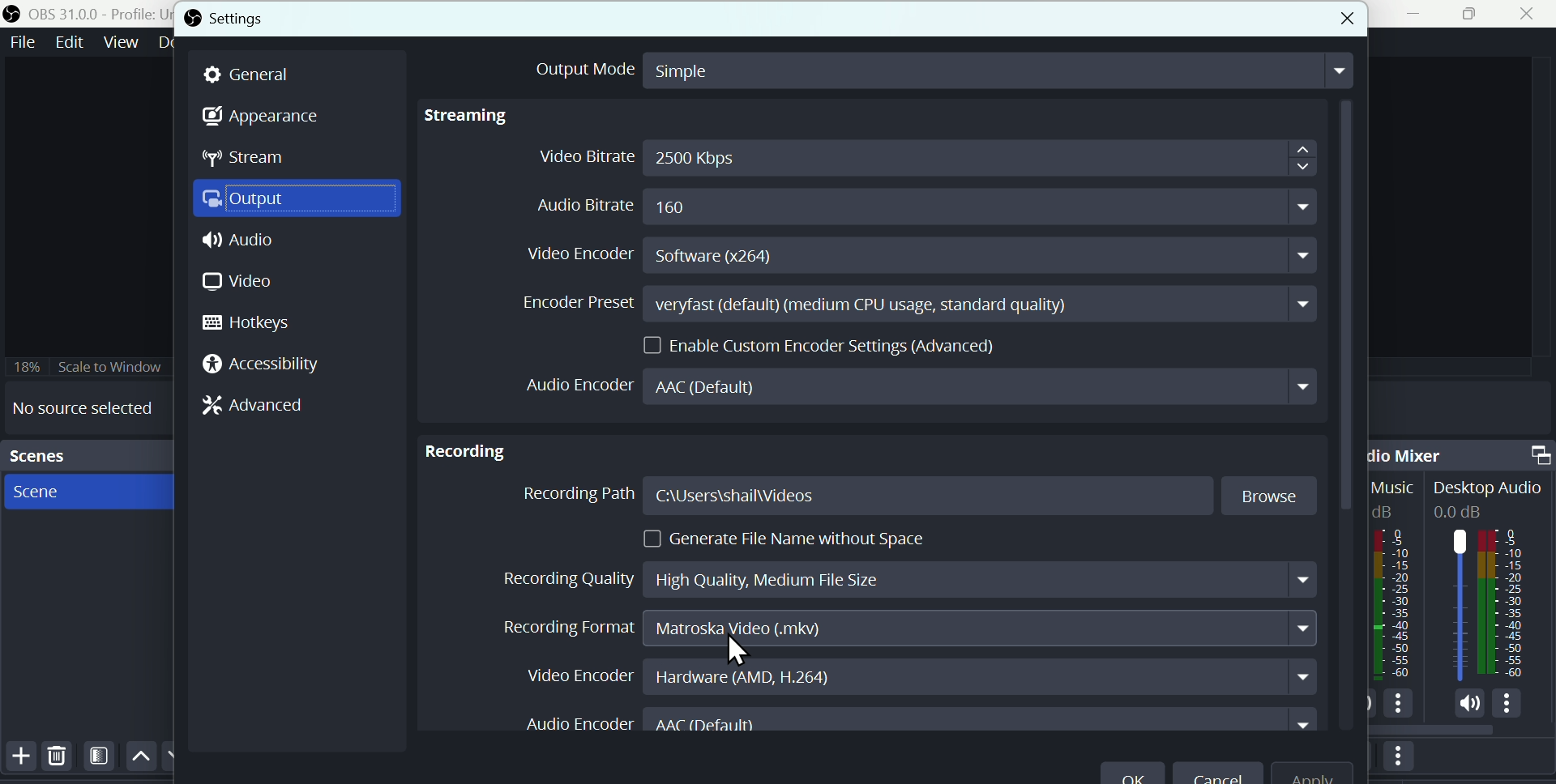 This screenshot has height=784, width=1556. What do you see at coordinates (143, 761) in the screenshot?
I see `Up` at bounding box center [143, 761].